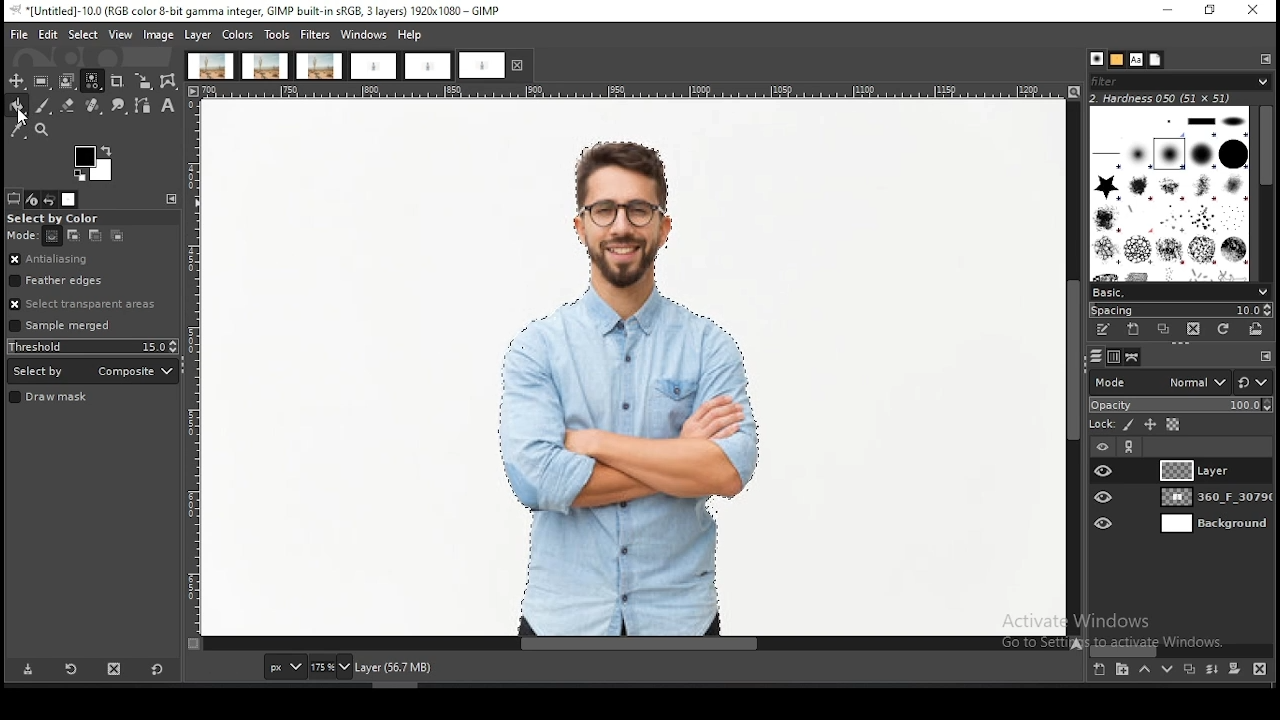 This screenshot has height=720, width=1280. Describe the element at coordinates (170, 81) in the screenshot. I see `cage transform tool` at that location.